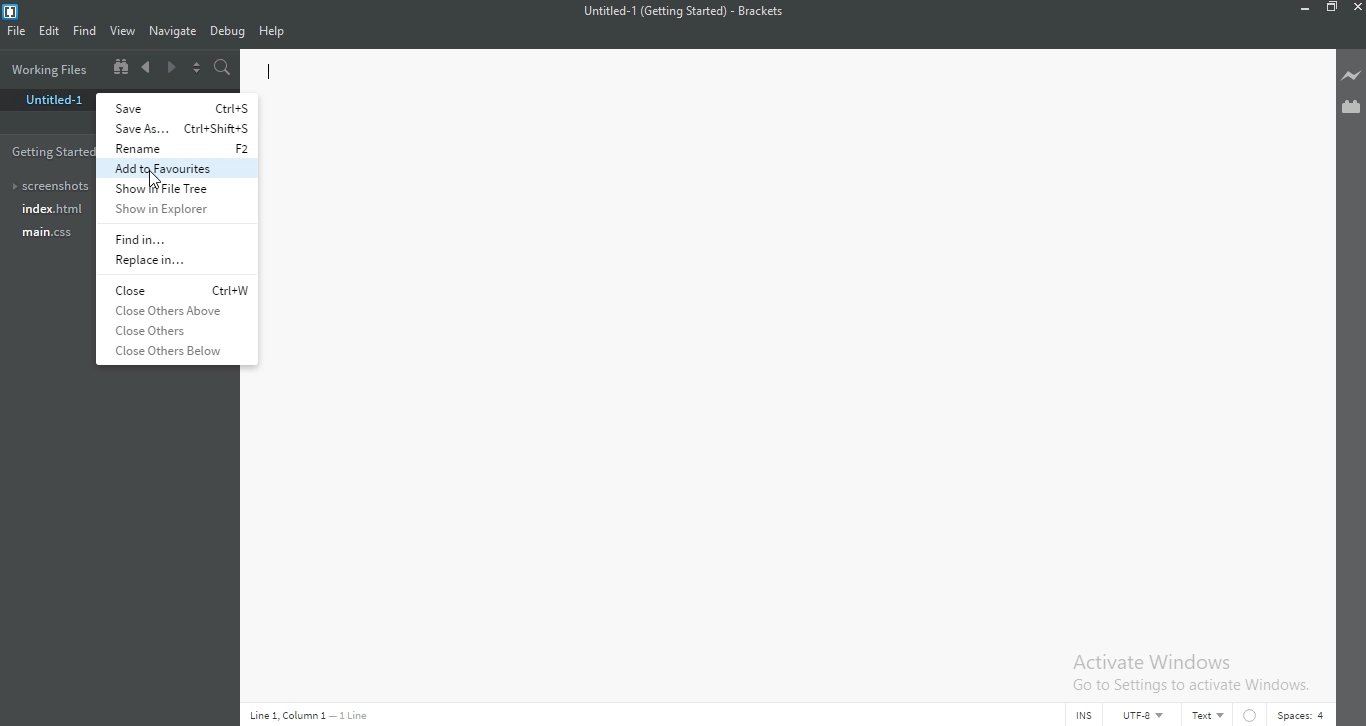 The width and height of the screenshot is (1366, 726). What do you see at coordinates (229, 33) in the screenshot?
I see `Debug` at bounding box center [229, 33].